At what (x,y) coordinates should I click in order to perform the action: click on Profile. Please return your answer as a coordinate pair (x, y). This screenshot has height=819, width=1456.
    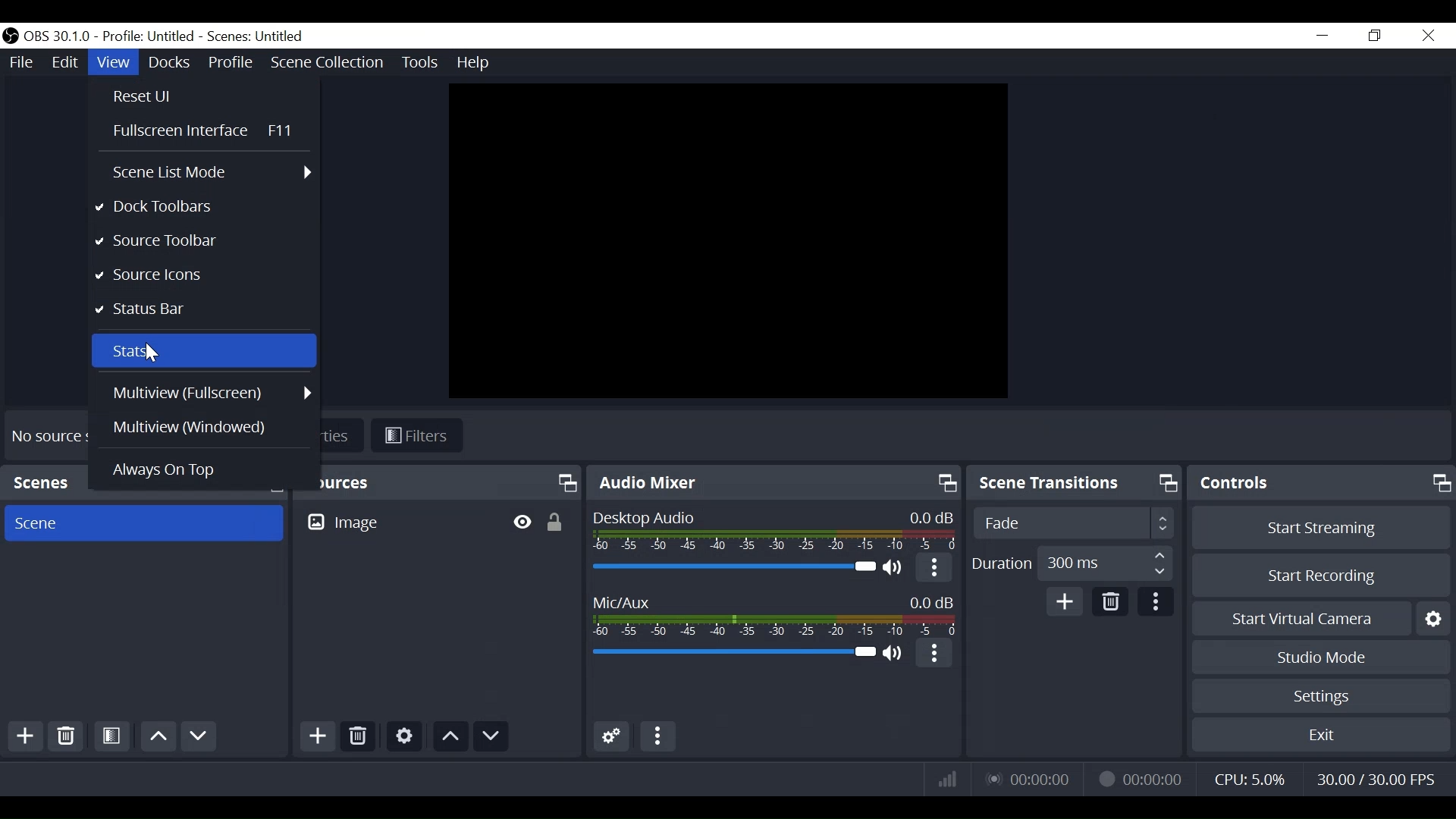
    Looking at the image, I should click on (233, 63).